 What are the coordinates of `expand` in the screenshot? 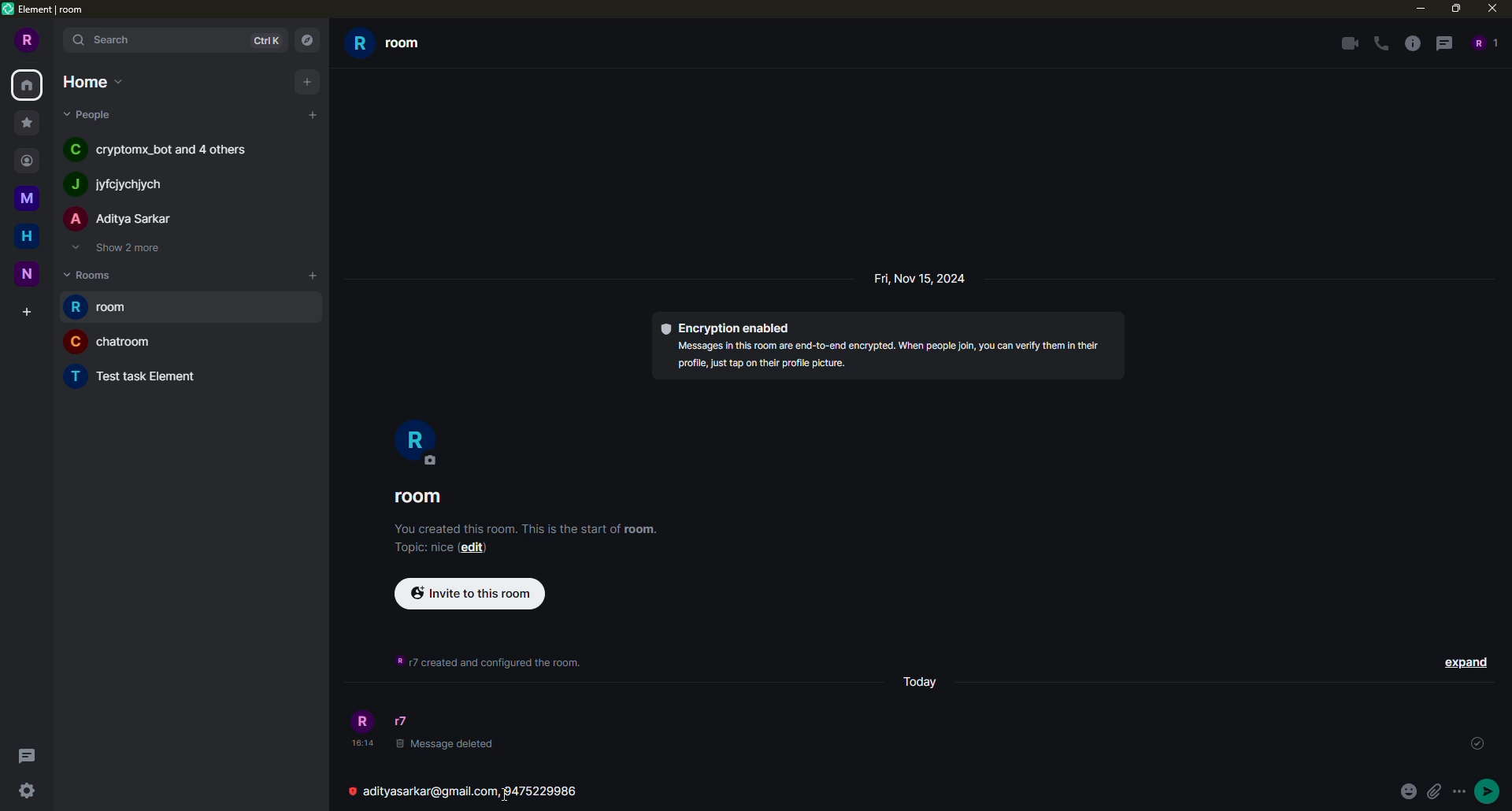 It's located at (1466, 661).